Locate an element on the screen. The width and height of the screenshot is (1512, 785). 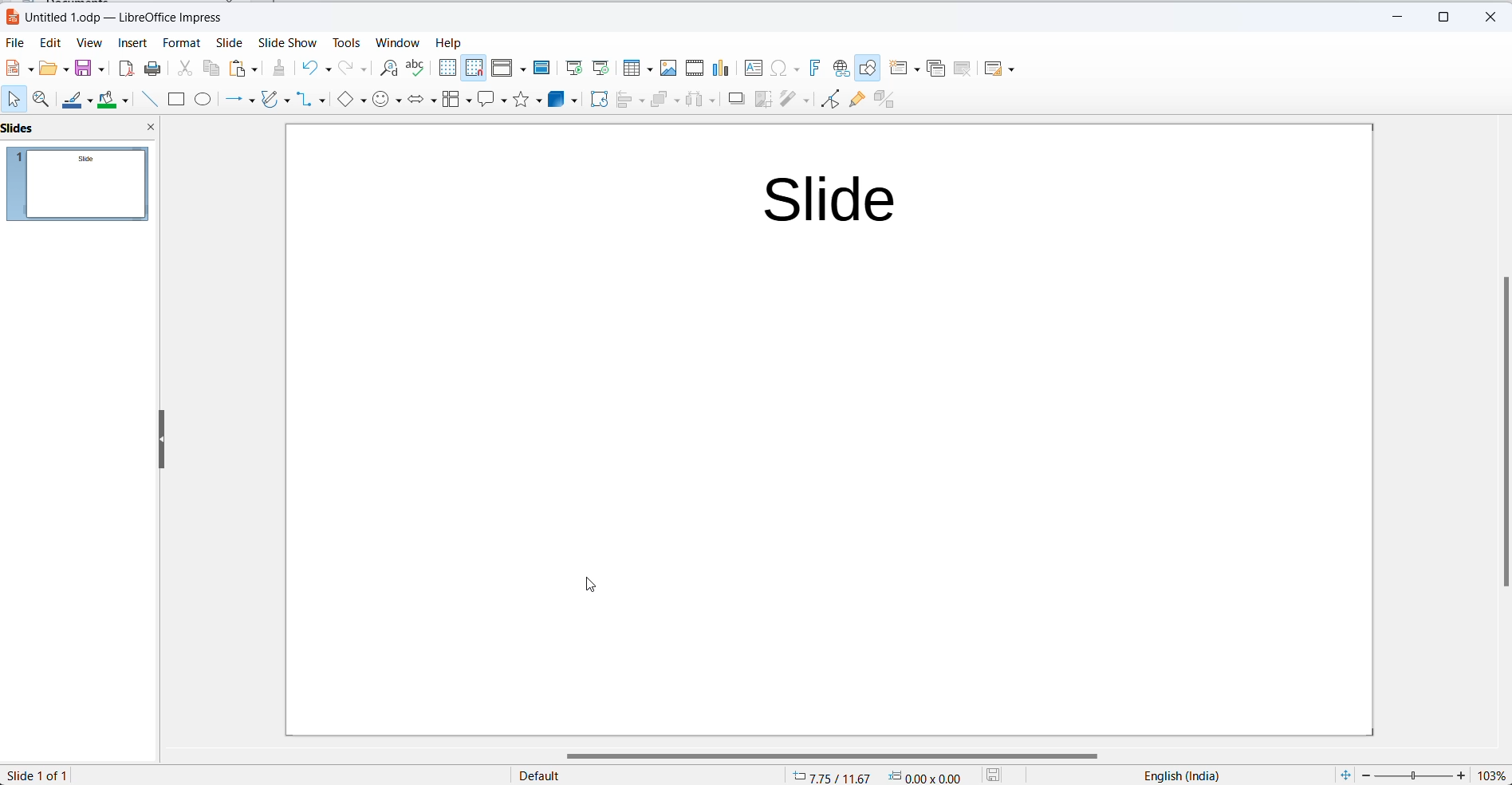
horizontal scrollbar is located at coordinates (833, 754).